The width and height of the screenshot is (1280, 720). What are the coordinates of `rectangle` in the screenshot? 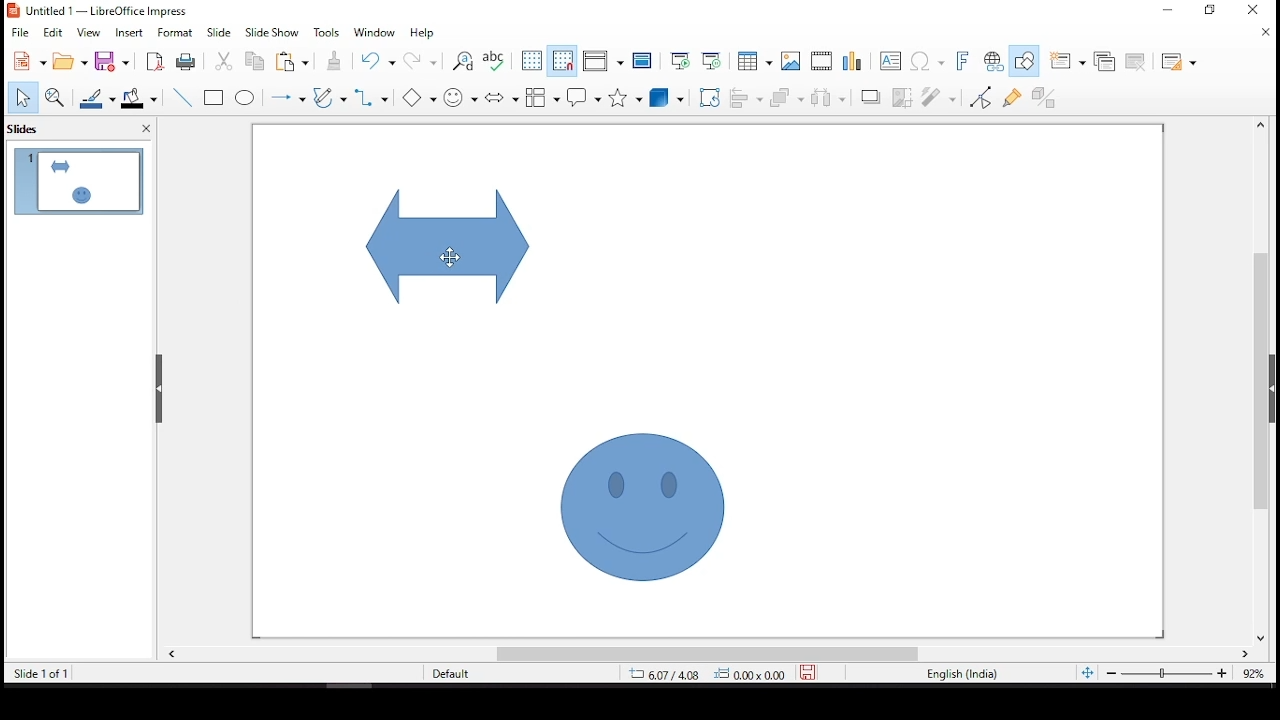 It's located at (216, 99).